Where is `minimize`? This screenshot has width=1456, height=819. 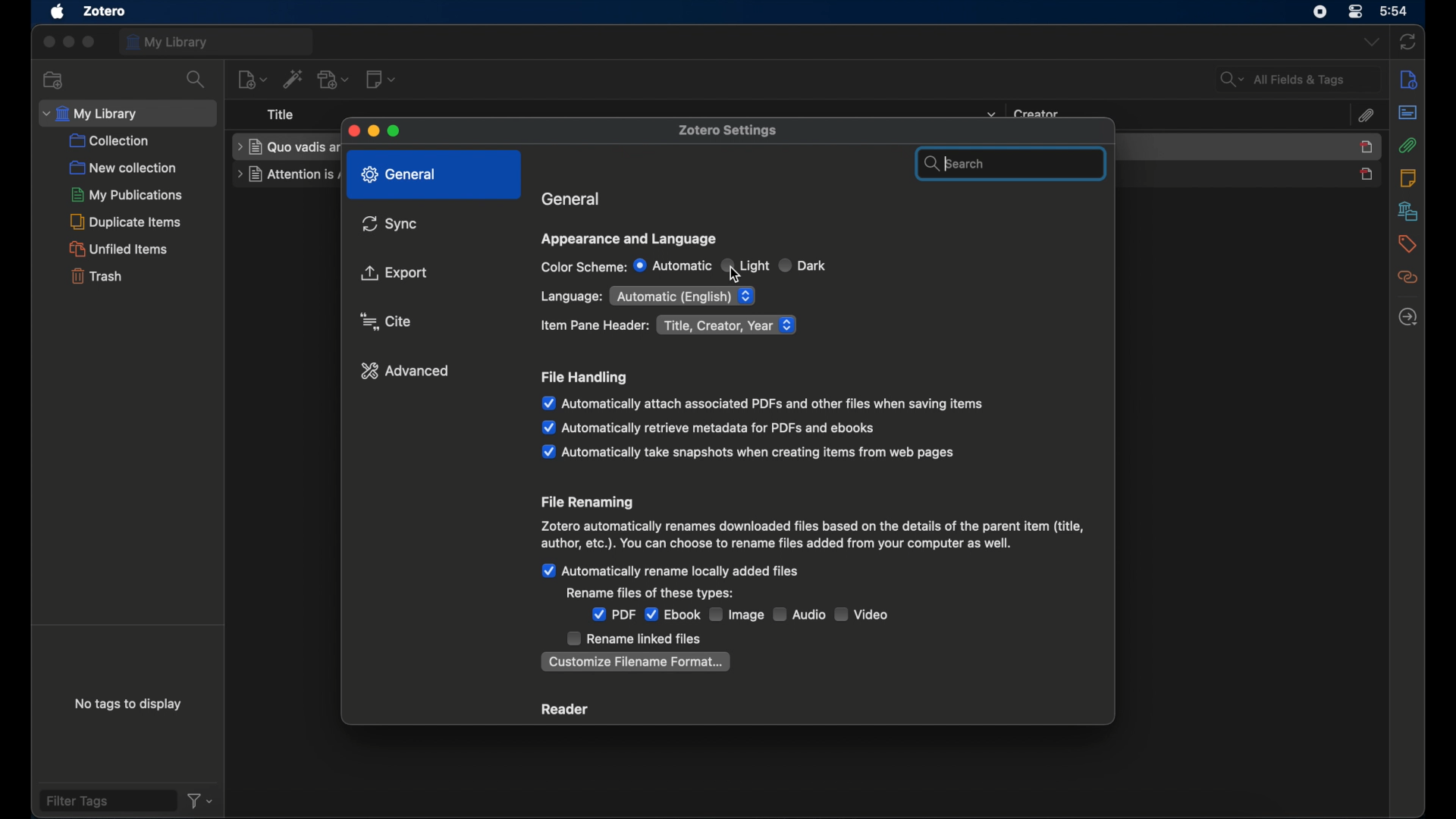
minimize is located at coordinates (374, 131).